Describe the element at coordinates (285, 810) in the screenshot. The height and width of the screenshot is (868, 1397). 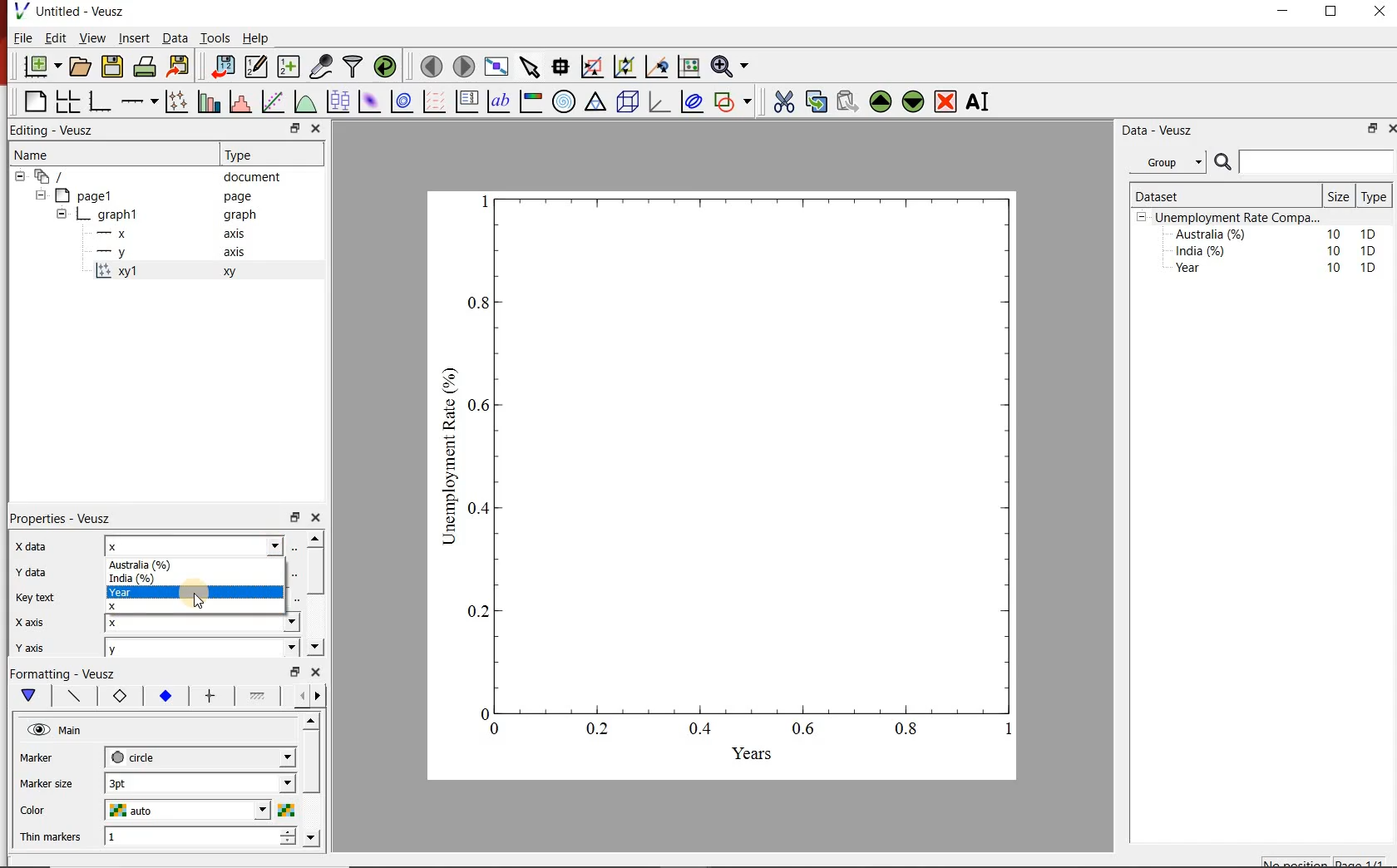
I see `choose color` at that location.